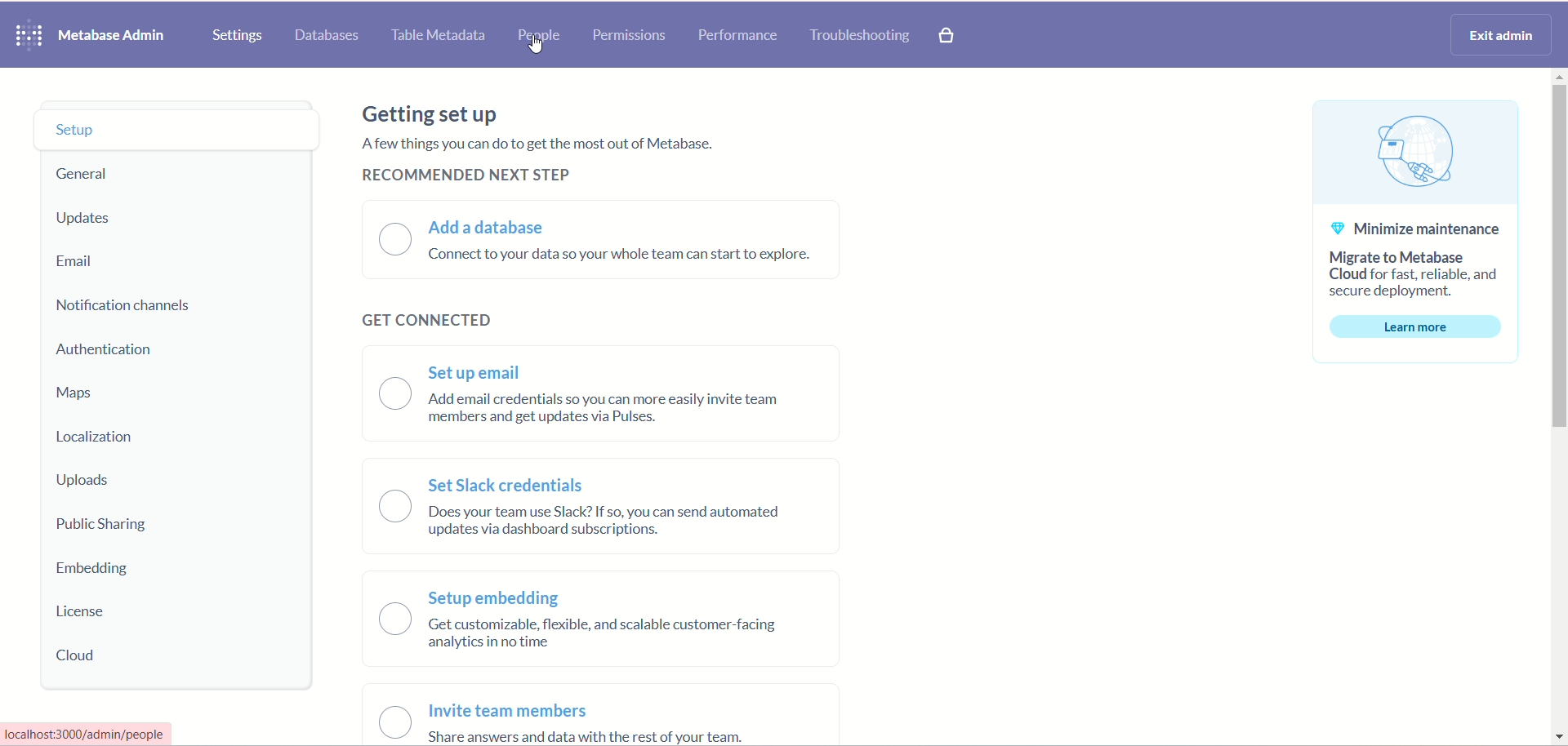 The width and height of the screenshot is (1568, 746). What do you see at coordinates (443, 36) in the screenshot?
I see `table metadata` at bounding box center [443, 36].